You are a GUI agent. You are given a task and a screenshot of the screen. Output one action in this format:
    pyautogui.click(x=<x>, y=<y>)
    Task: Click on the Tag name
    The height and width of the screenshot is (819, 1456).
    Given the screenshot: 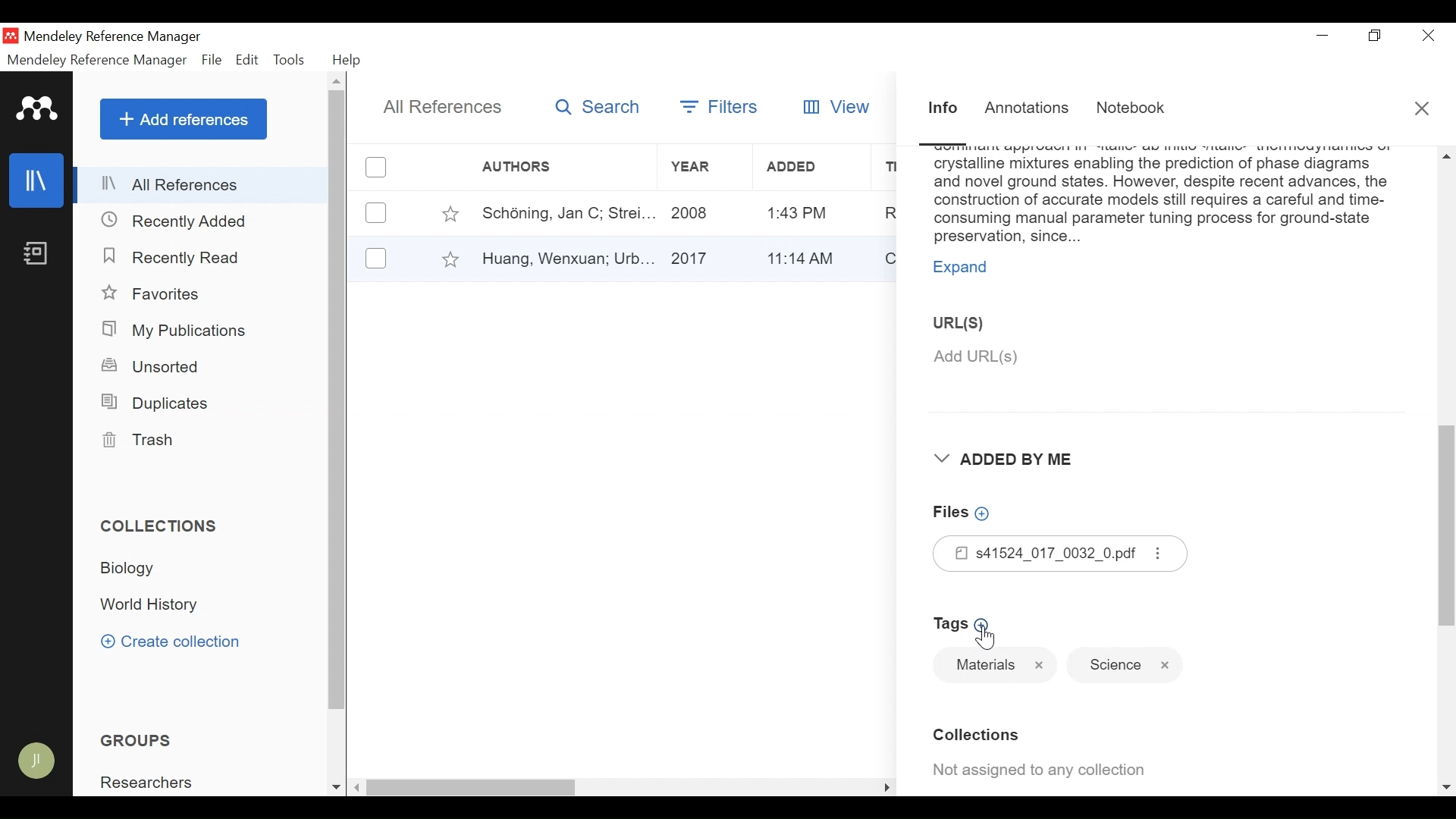 What is the action you would take?
    pyautogui.click(x=997, y=664)
    